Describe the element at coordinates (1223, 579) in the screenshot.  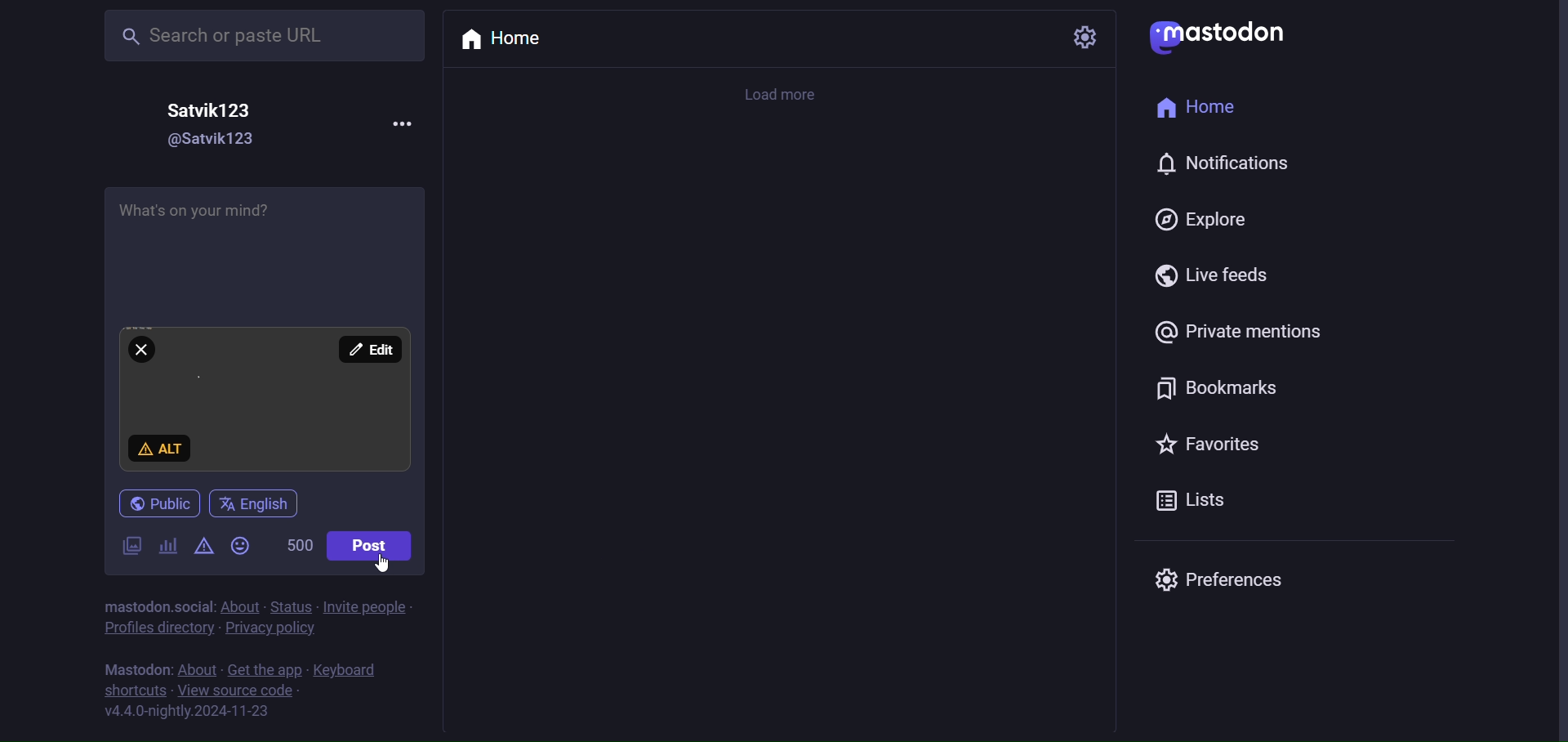
I see `preferences` at that location.